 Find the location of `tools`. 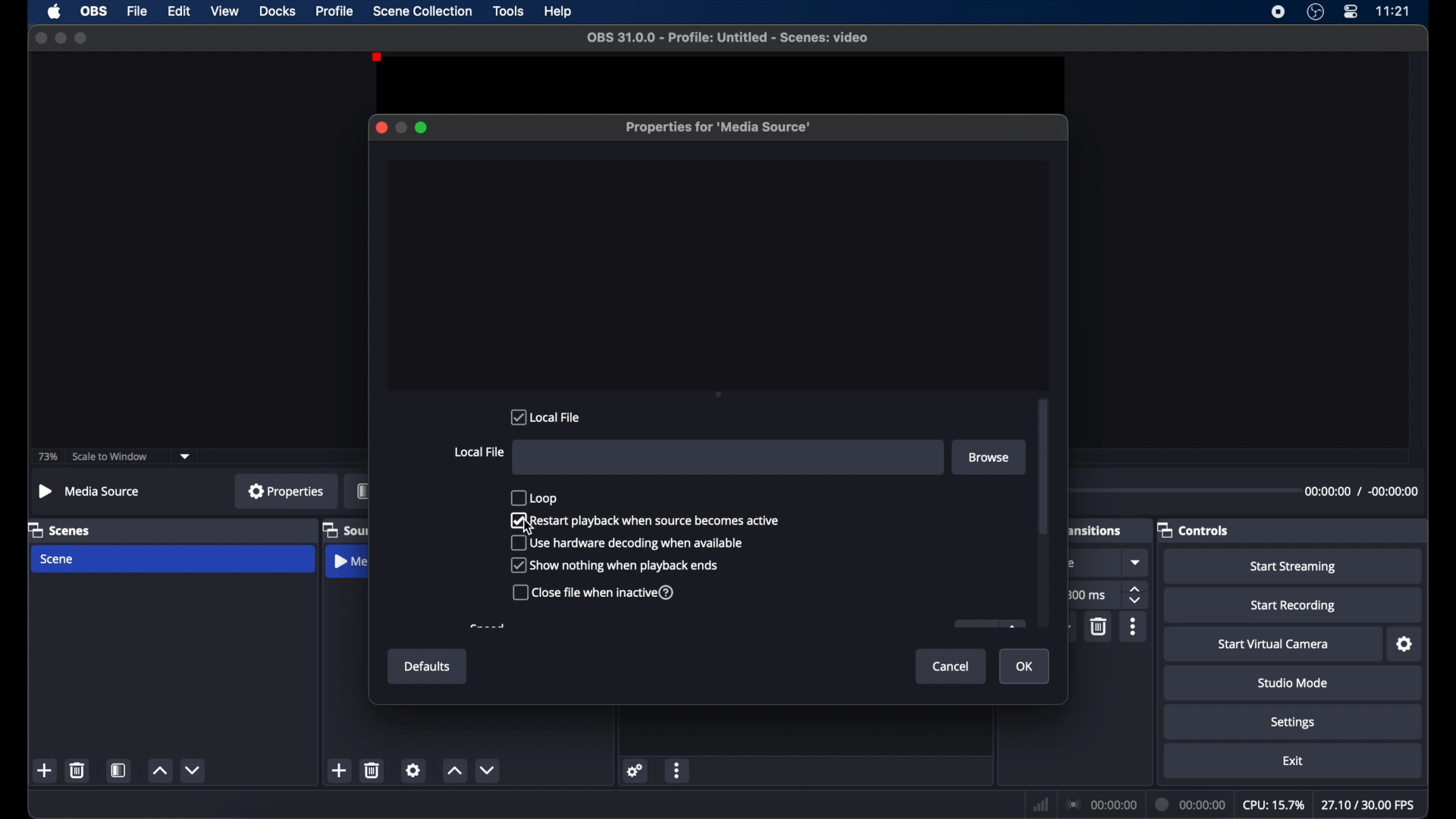

tools is located at coordinates (509, 11).